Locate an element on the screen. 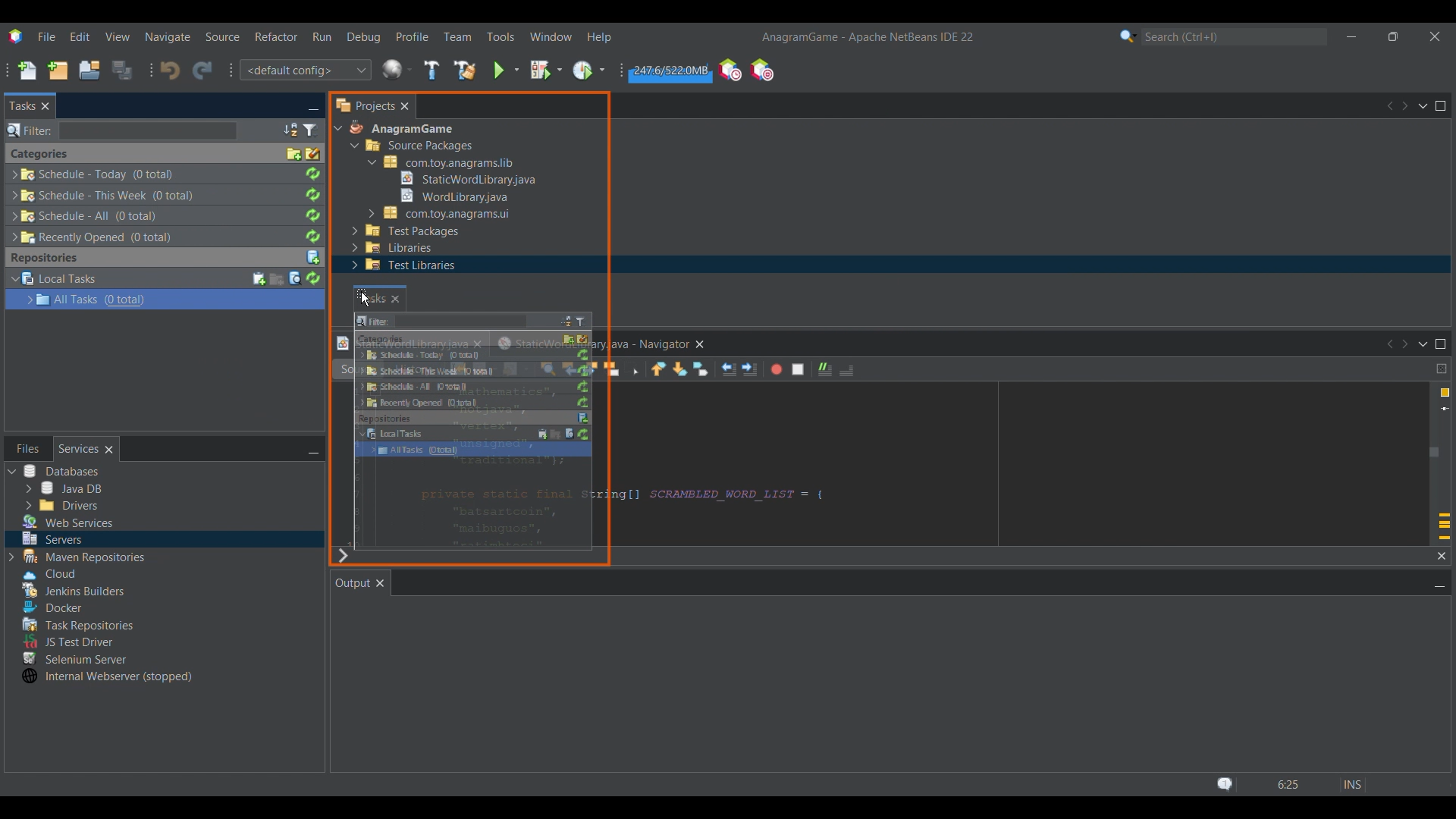 This screenshot has width=1456, height=819. Toggle bookmark is located at coordinates (701, 369).